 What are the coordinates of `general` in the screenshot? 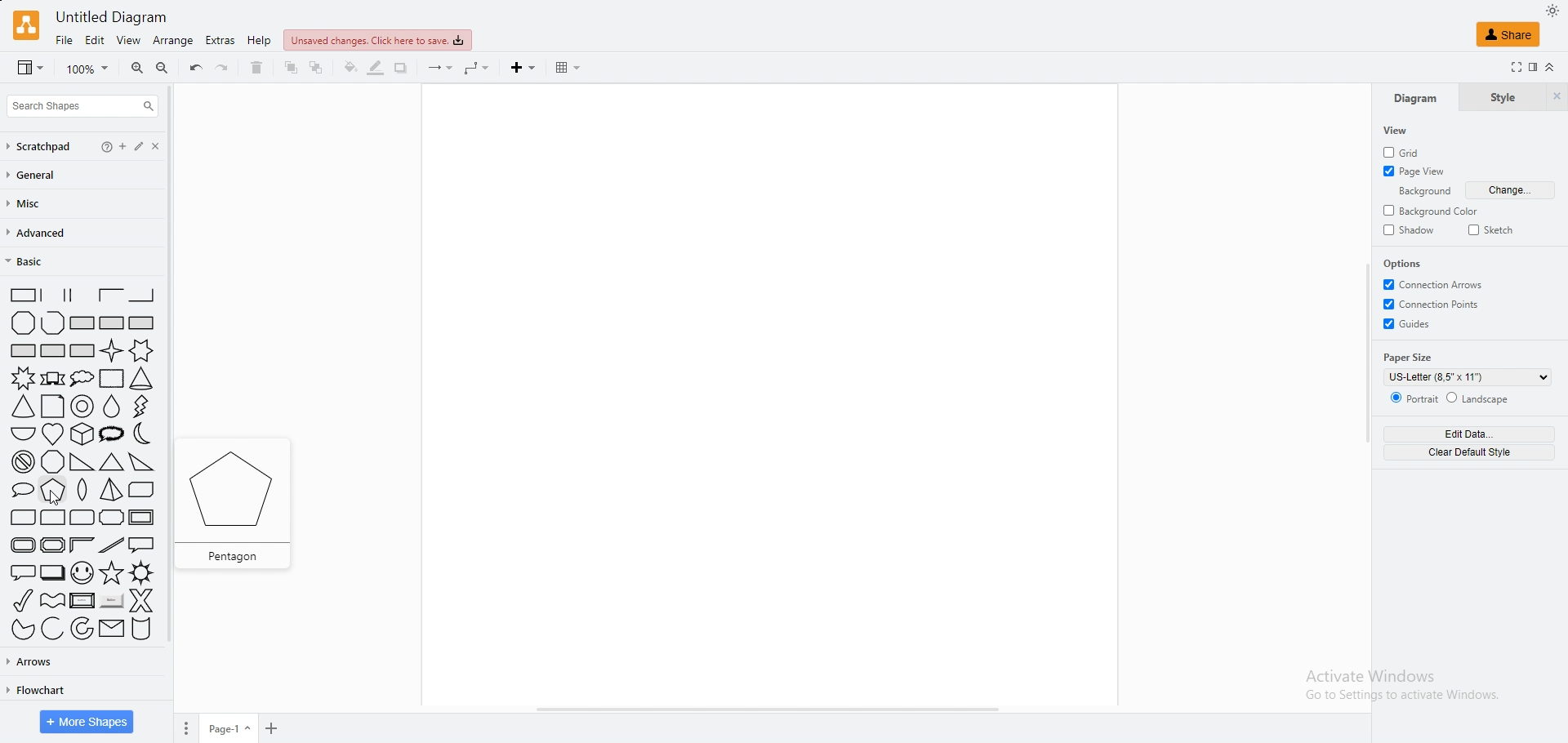 It's located at (40, 176).